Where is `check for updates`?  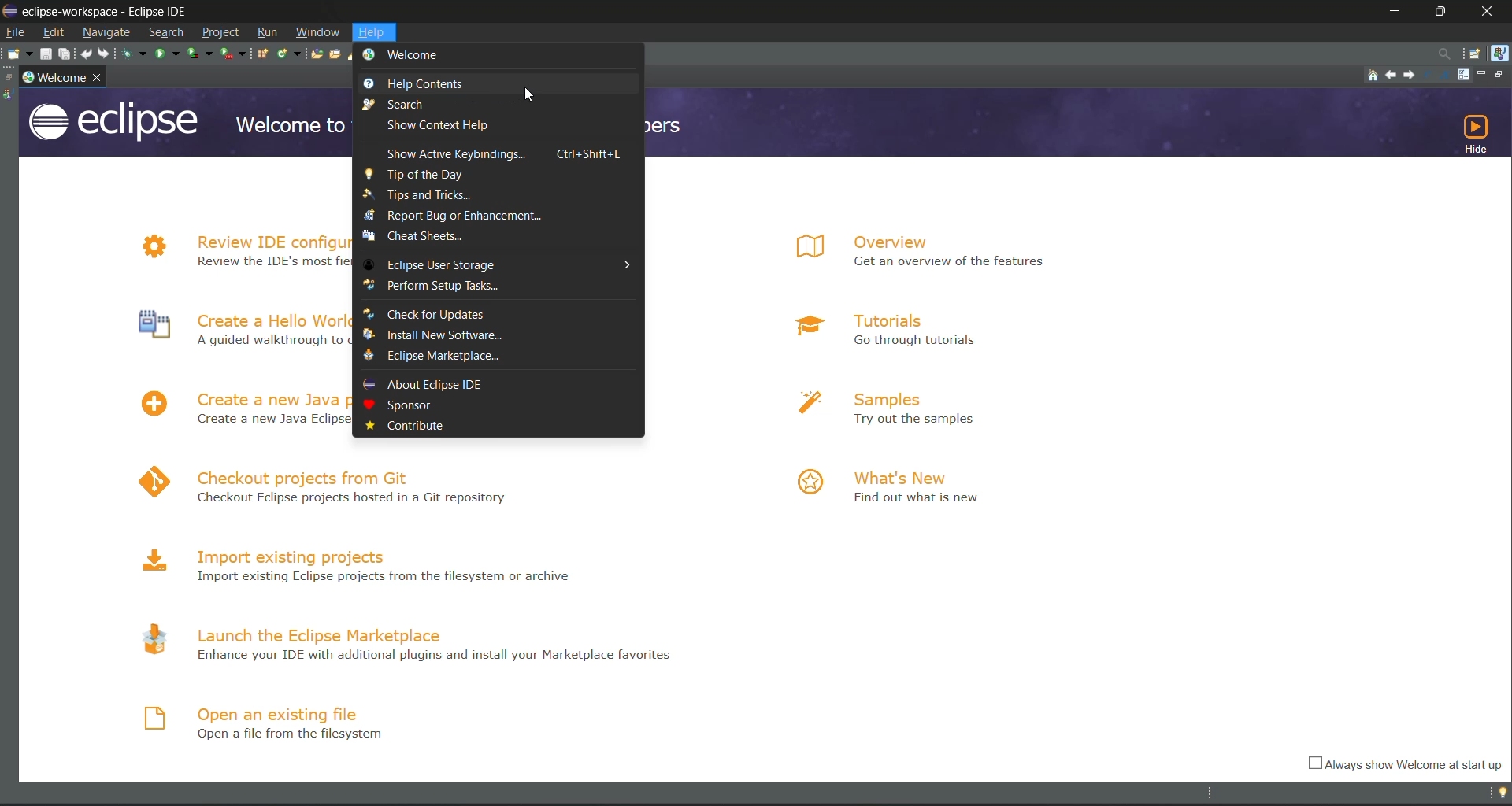 check for updates is located at coordinates (444, 313).